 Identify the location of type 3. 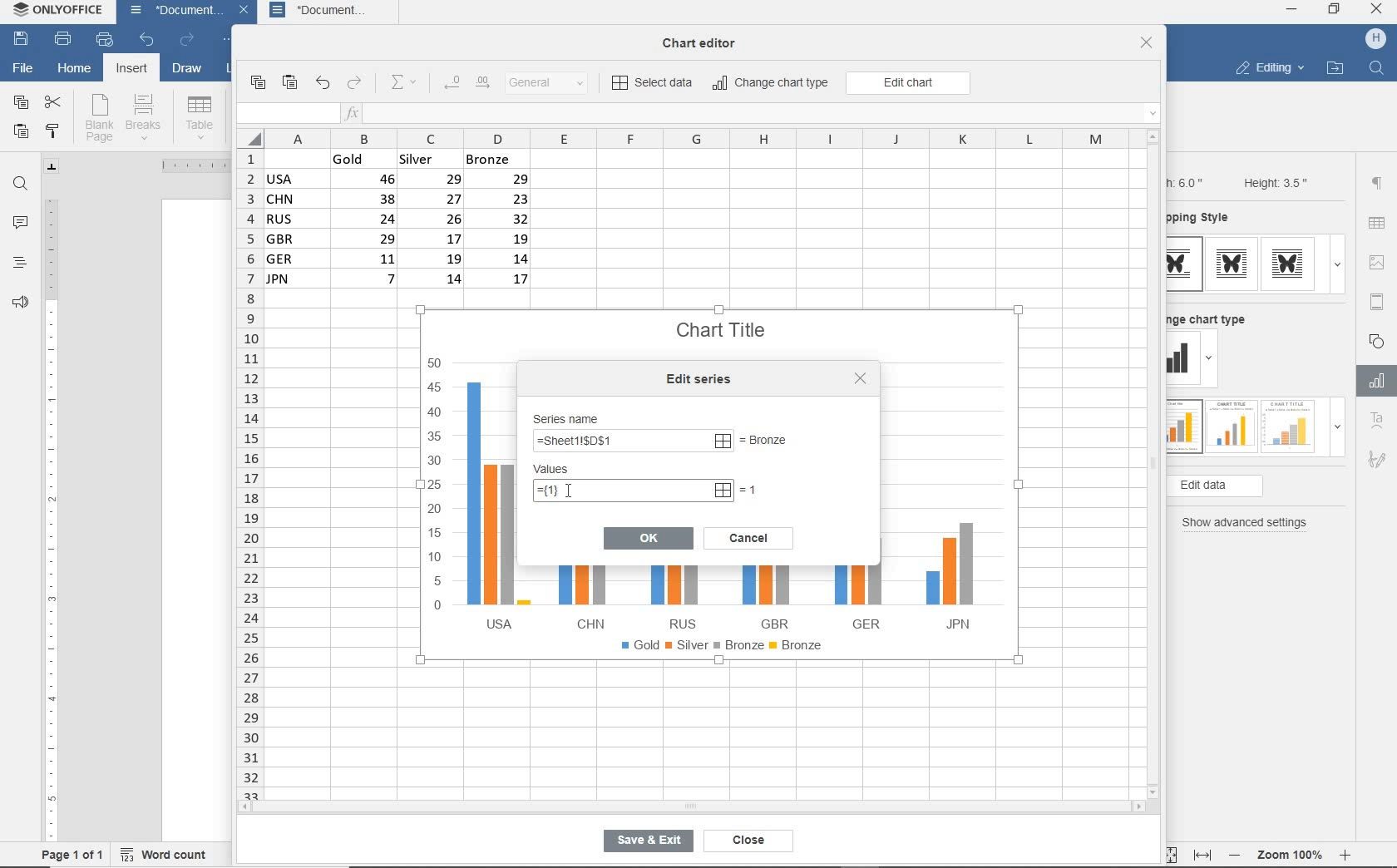
(1289, 425).